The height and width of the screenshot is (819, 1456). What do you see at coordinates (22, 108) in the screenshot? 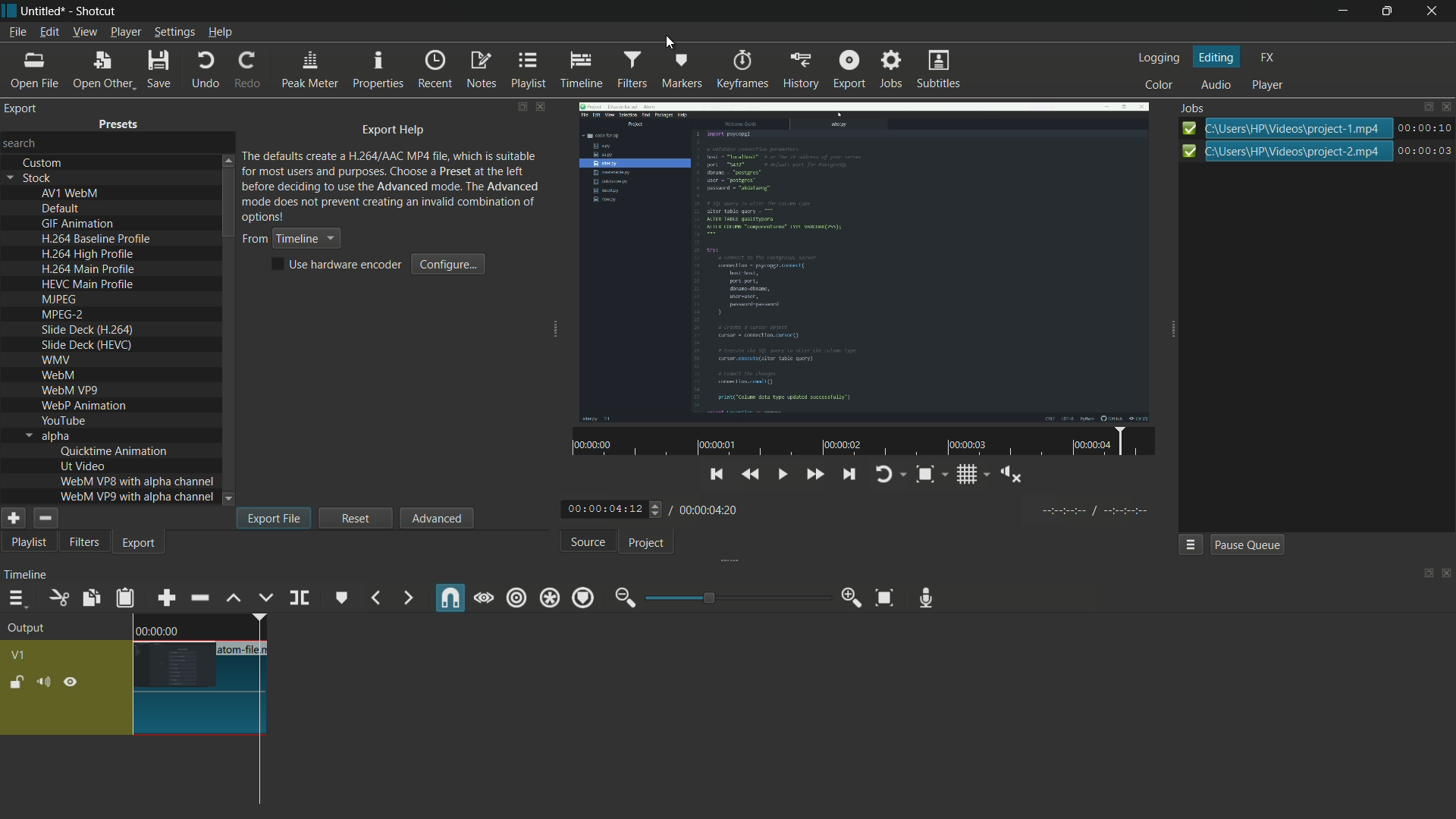
I see `export` at bounding box center [22, 108].